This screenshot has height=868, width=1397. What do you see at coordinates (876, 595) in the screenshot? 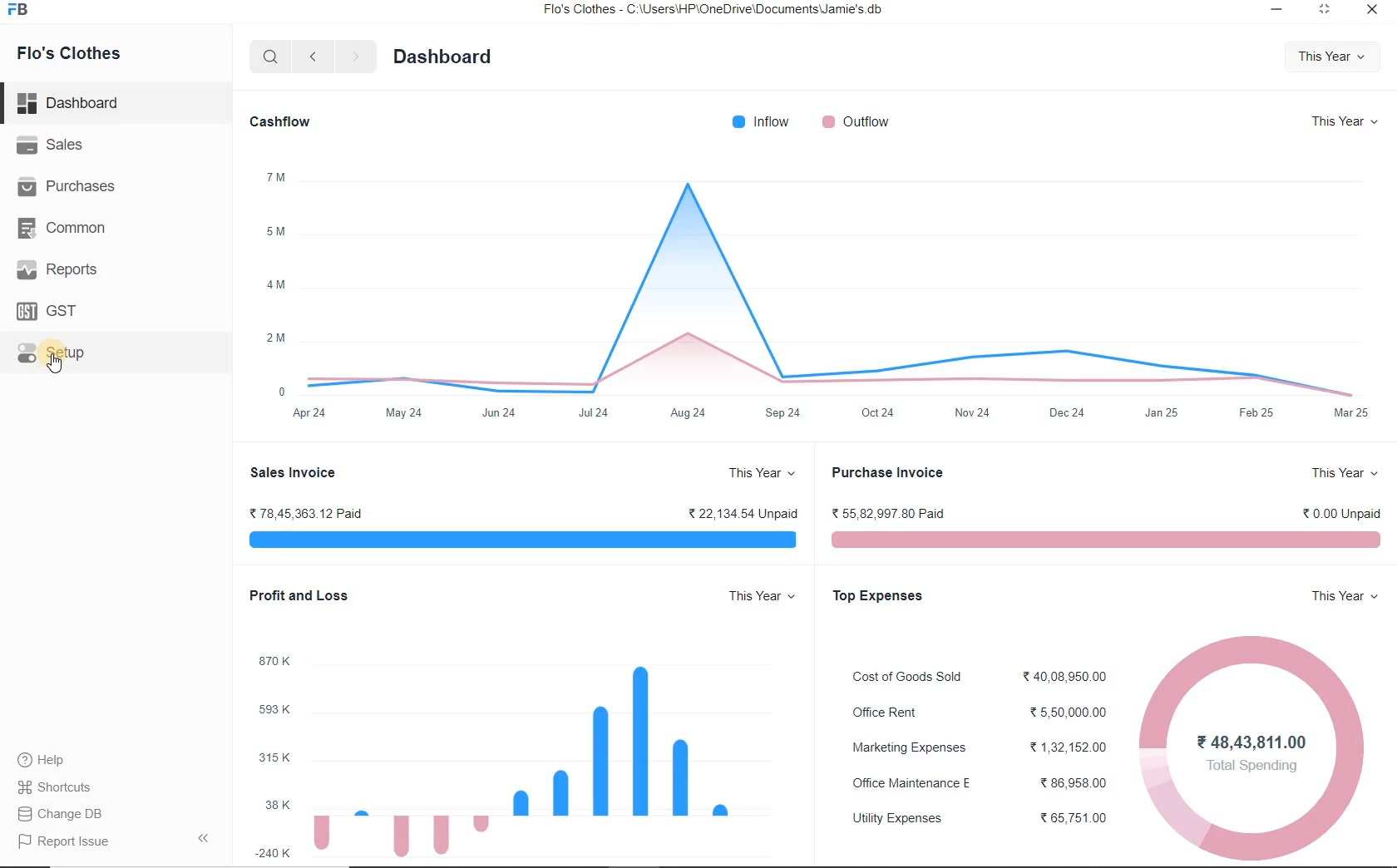
I see `Top Expenses` at bounding box center [876, 595].